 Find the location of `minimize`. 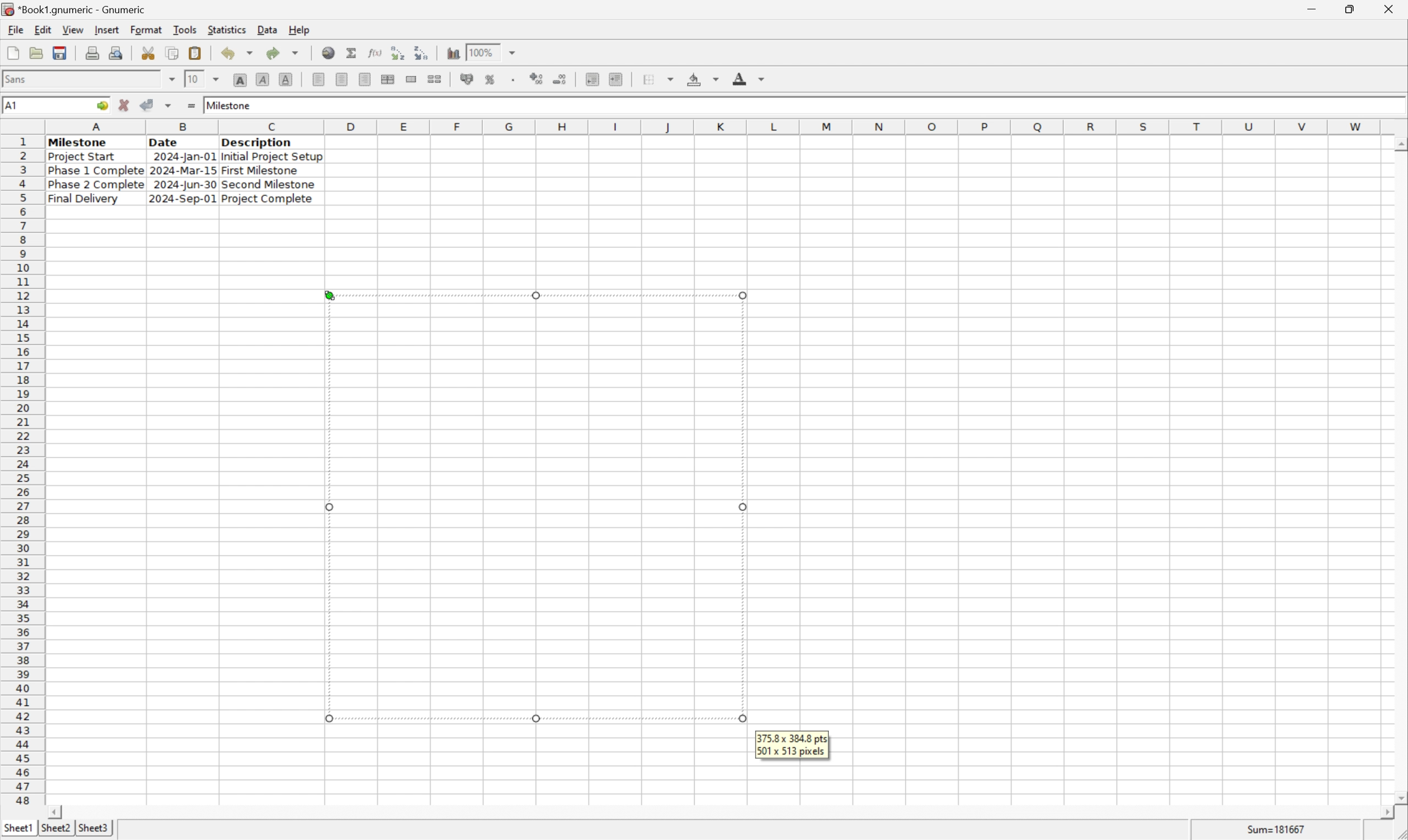

minimize is located at coordinates (1320, 7).